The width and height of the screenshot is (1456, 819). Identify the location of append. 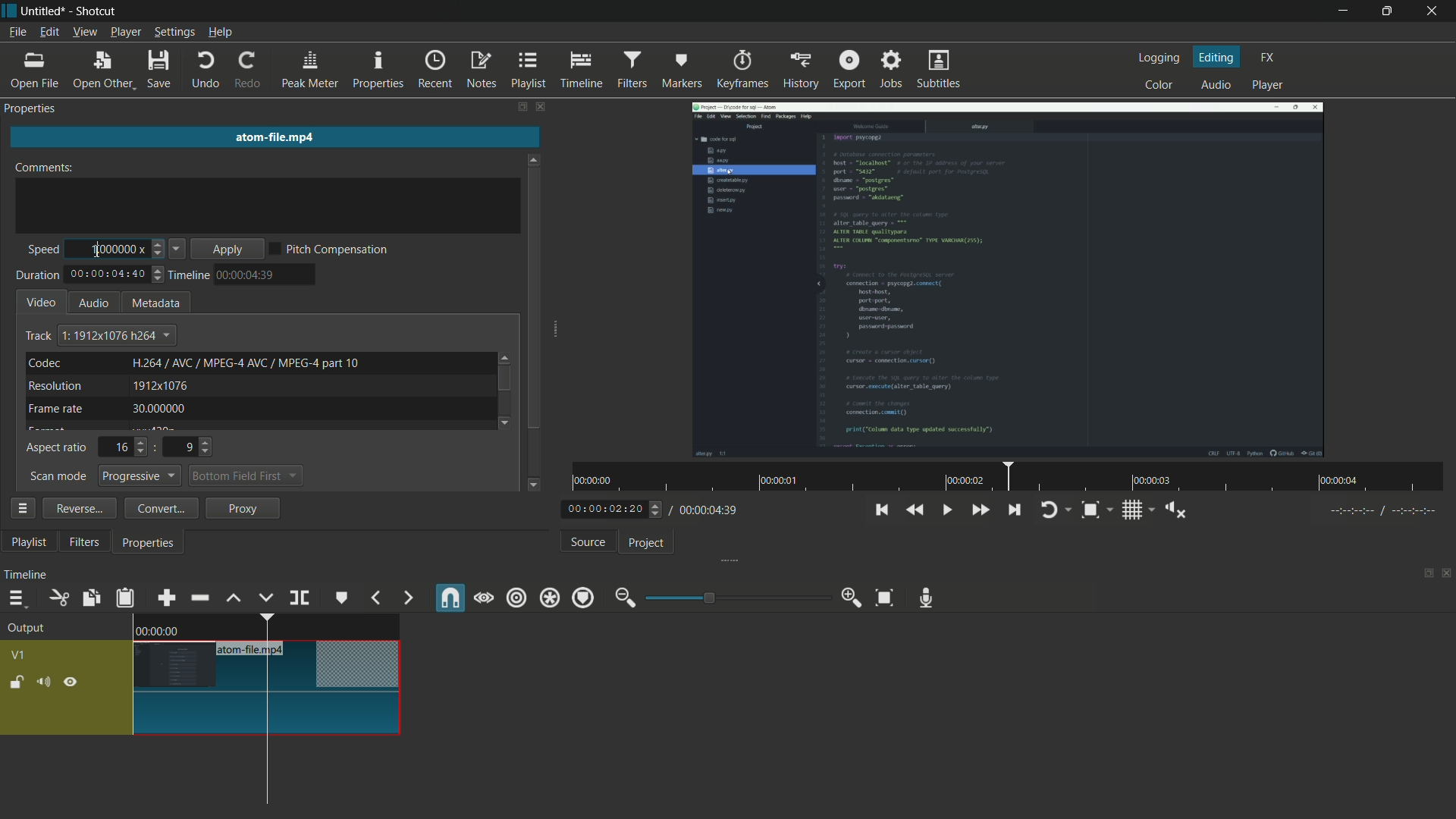
(165, 598).